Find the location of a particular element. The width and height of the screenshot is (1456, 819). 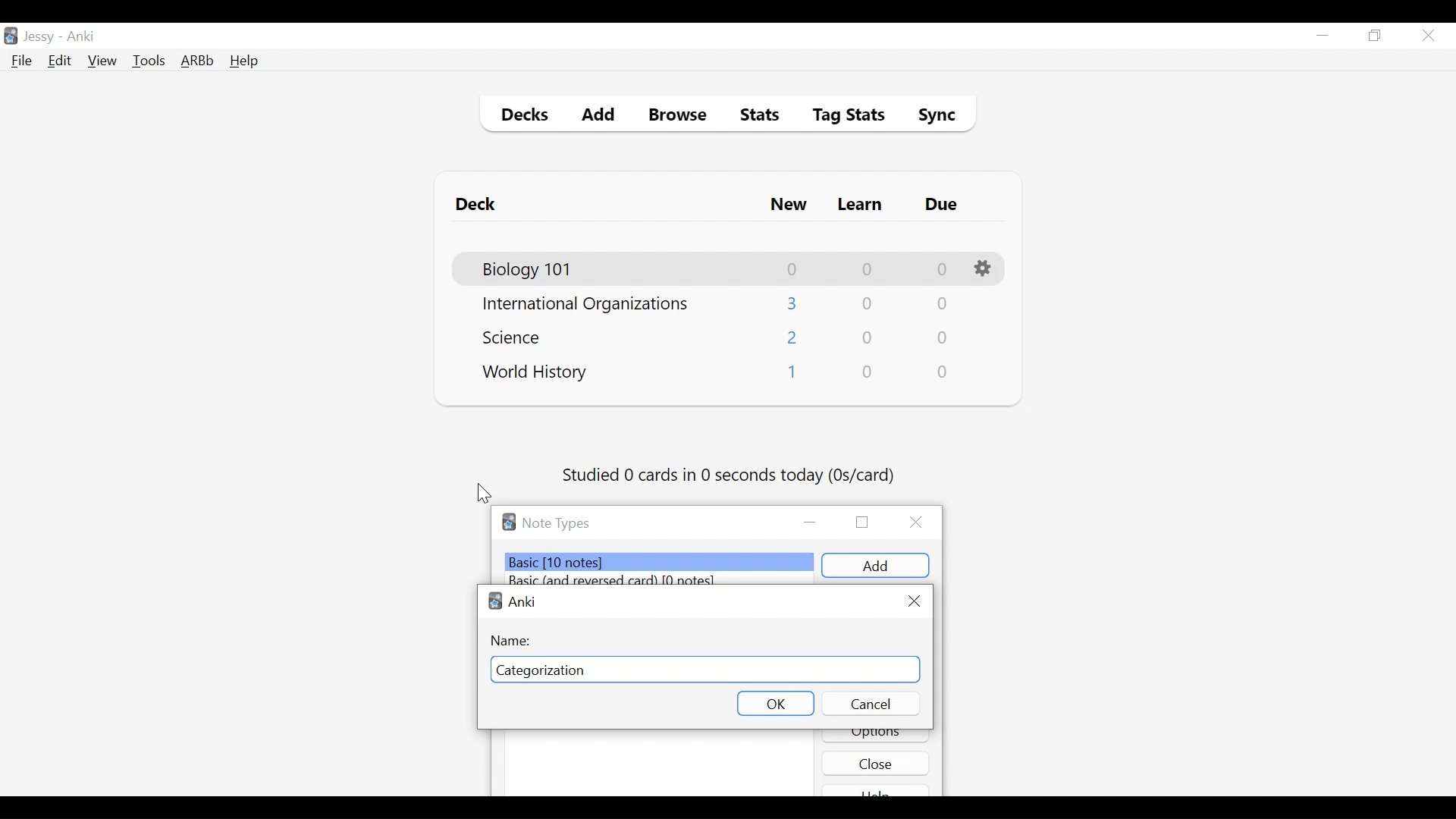

Deck Name is located at coordinates (585, 305).